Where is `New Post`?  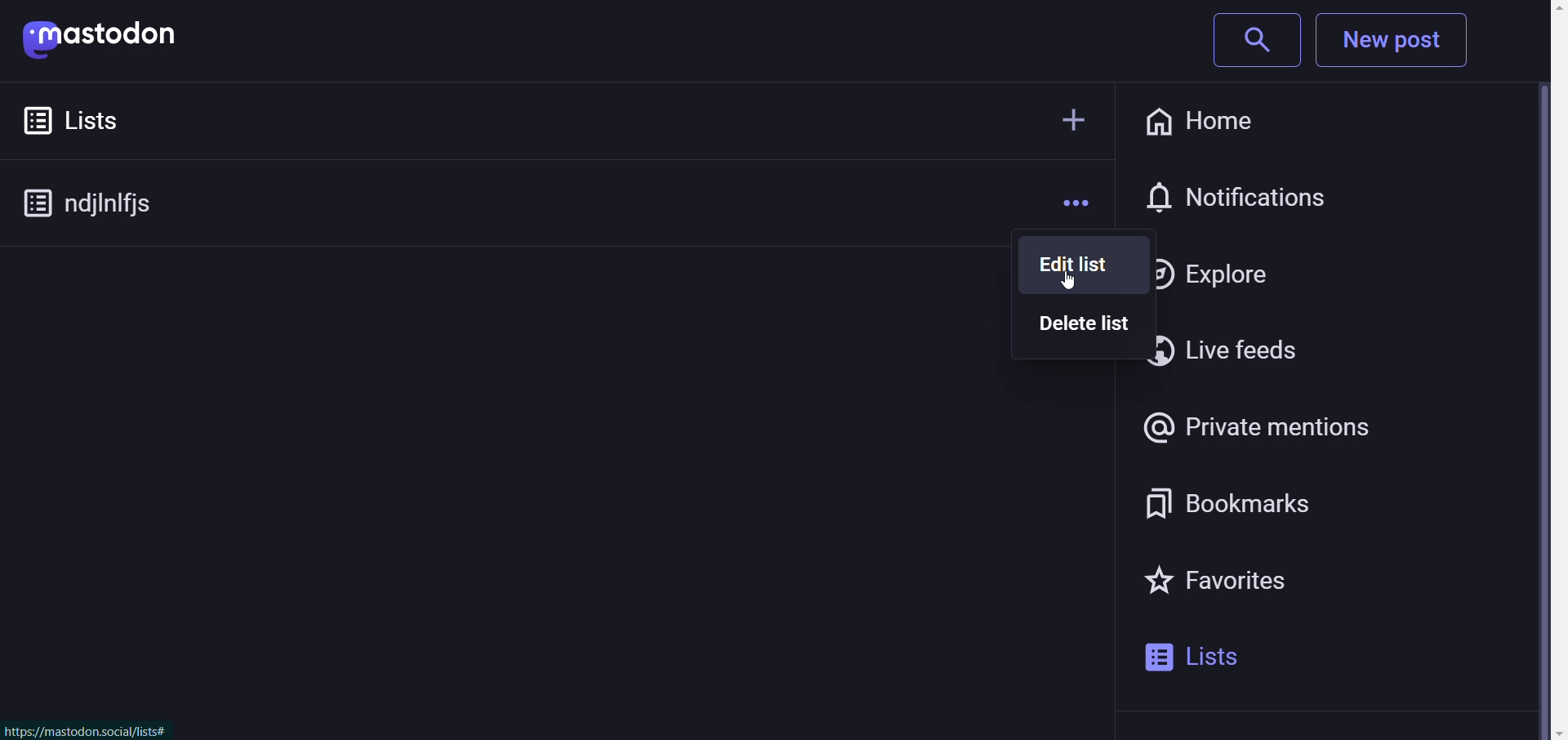
New Post is located at coordinates (1396, 41).